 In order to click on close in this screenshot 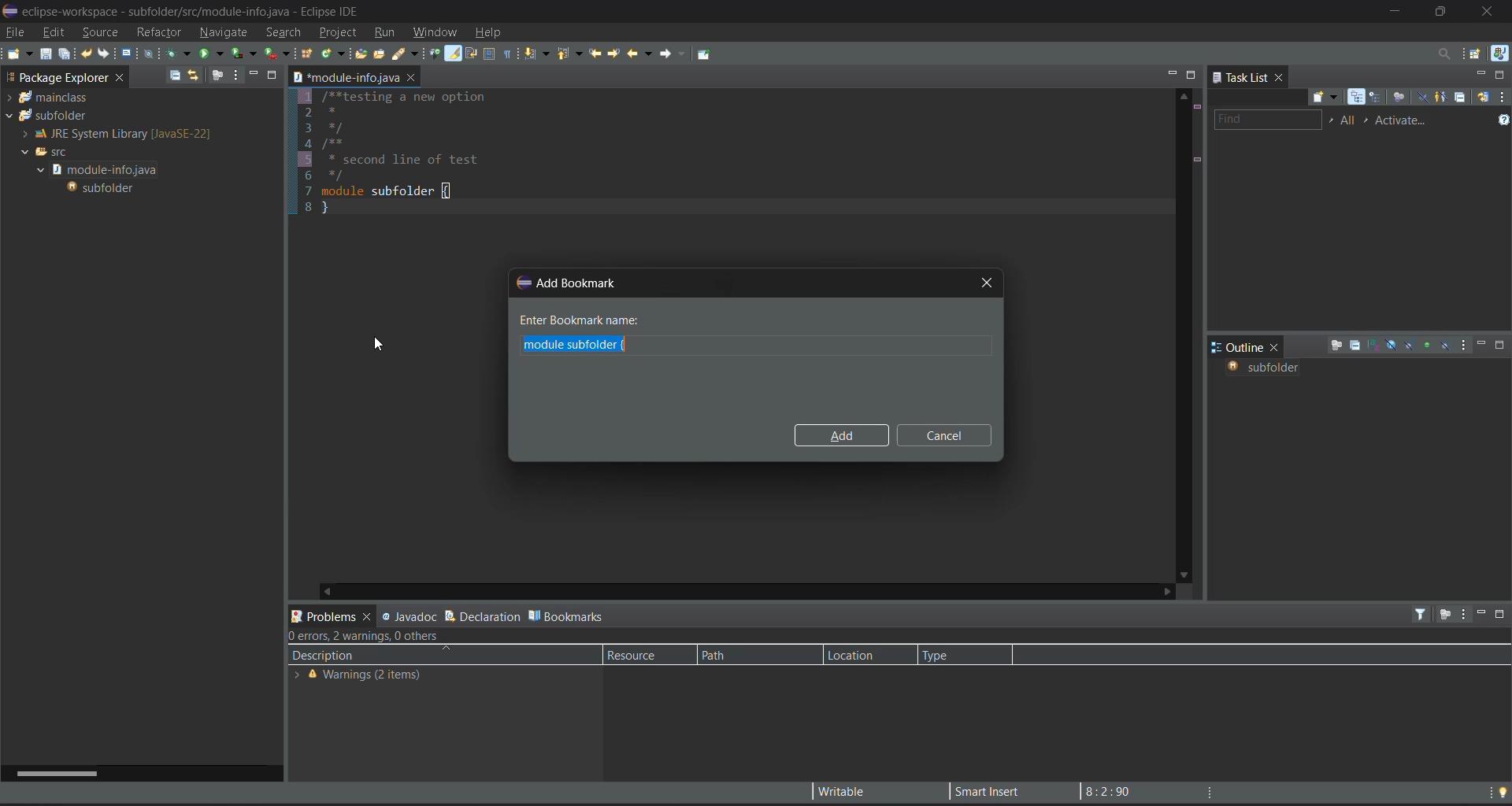, I will do `click(1280, 347)`.